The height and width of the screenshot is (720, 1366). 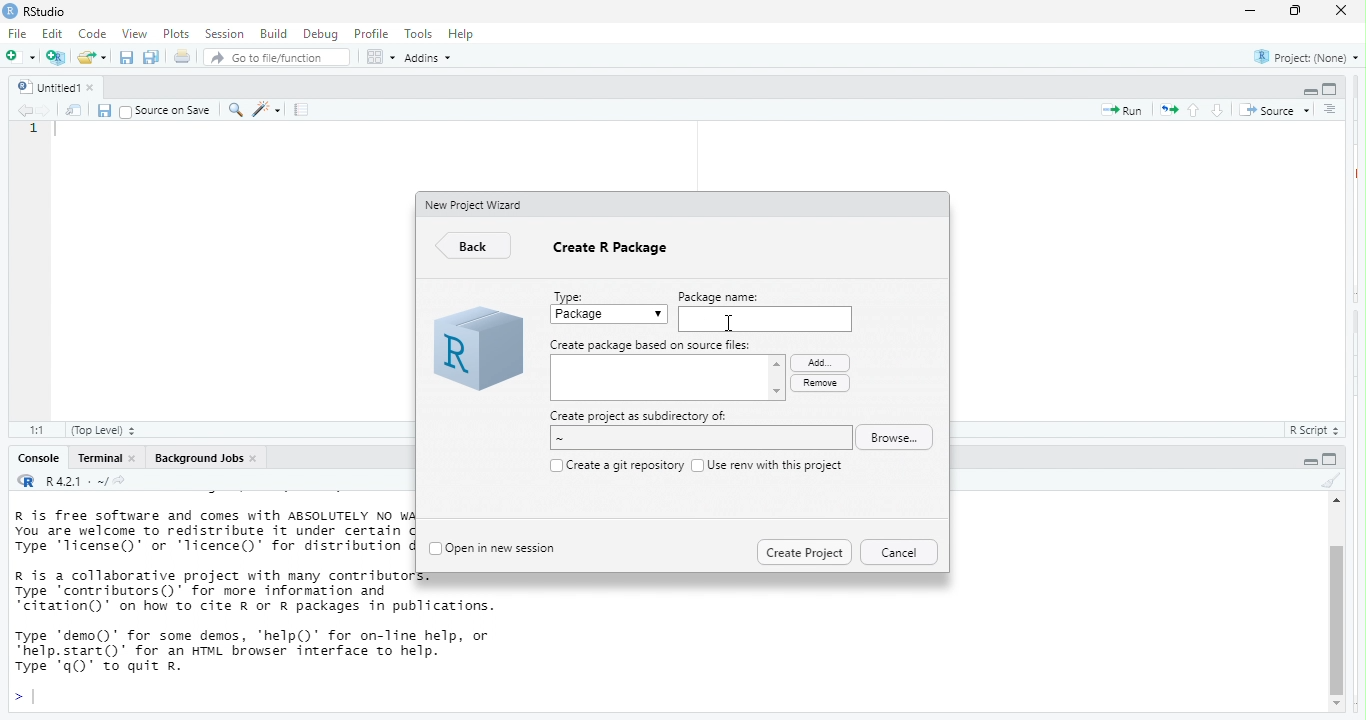 I want to click on hide console, so click(x=1332, y=459).